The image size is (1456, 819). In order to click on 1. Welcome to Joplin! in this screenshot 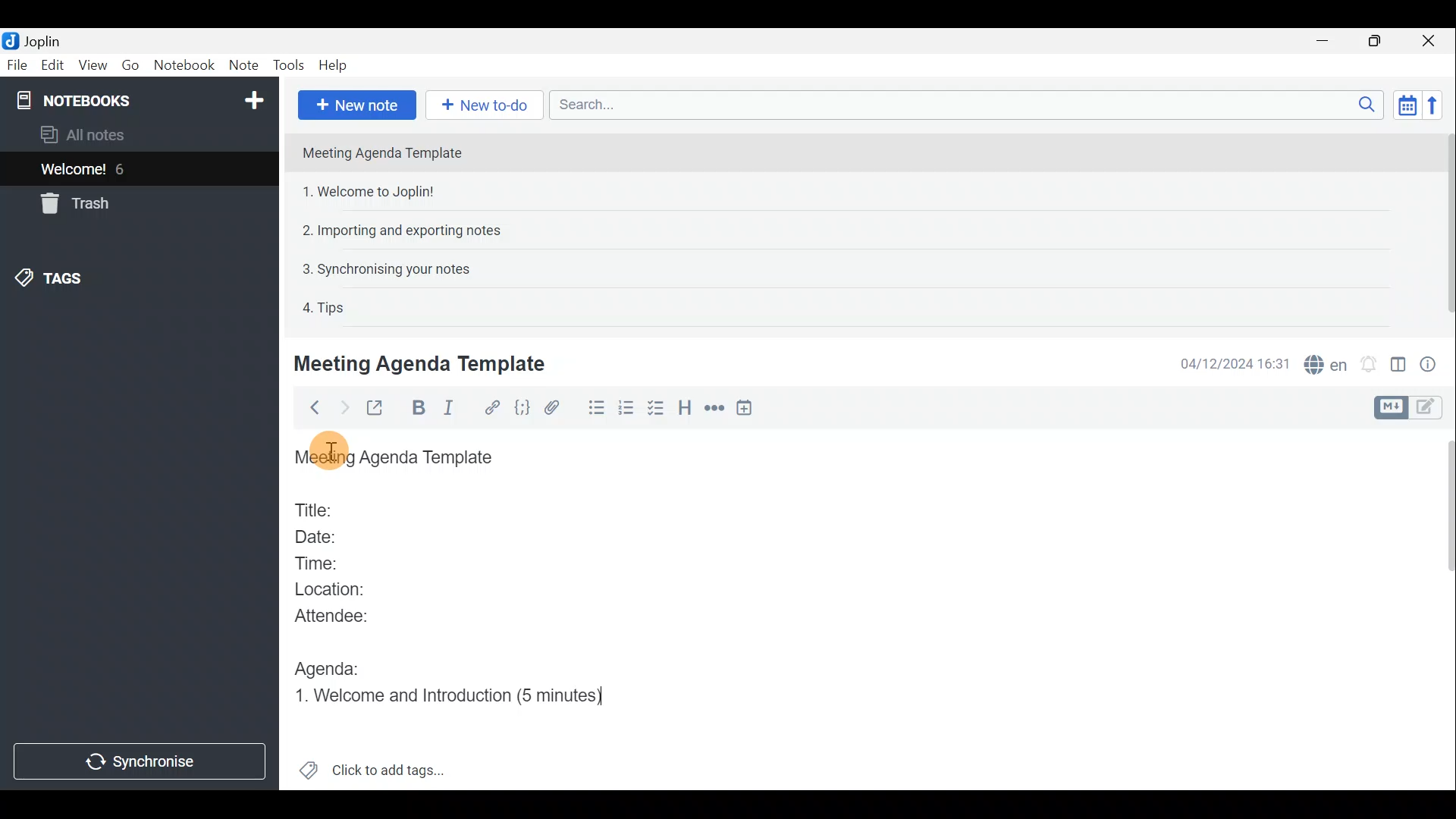, I will do `click(373, 191)`.